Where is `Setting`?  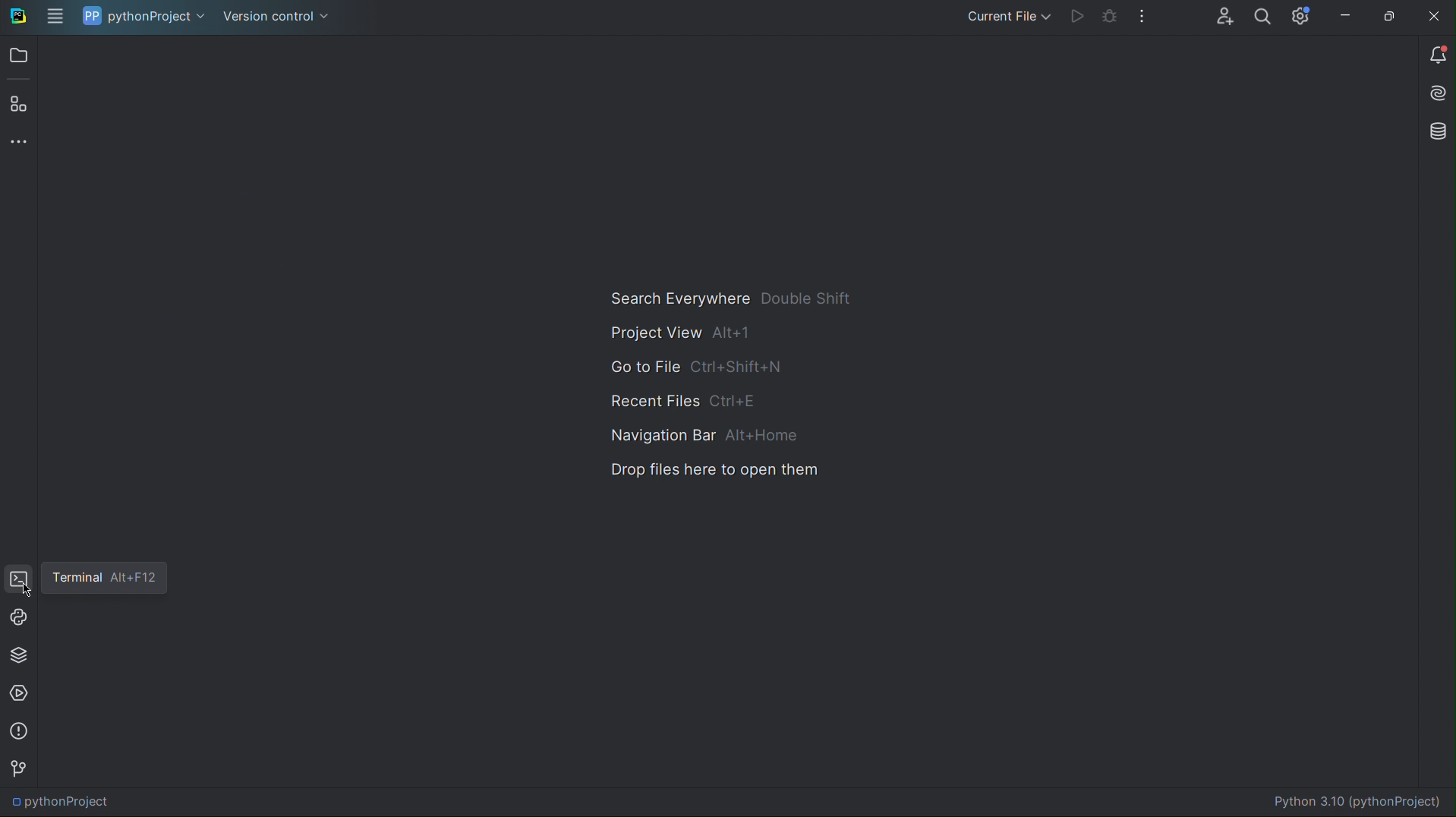
Setting is located at coordinates (1300, 17).